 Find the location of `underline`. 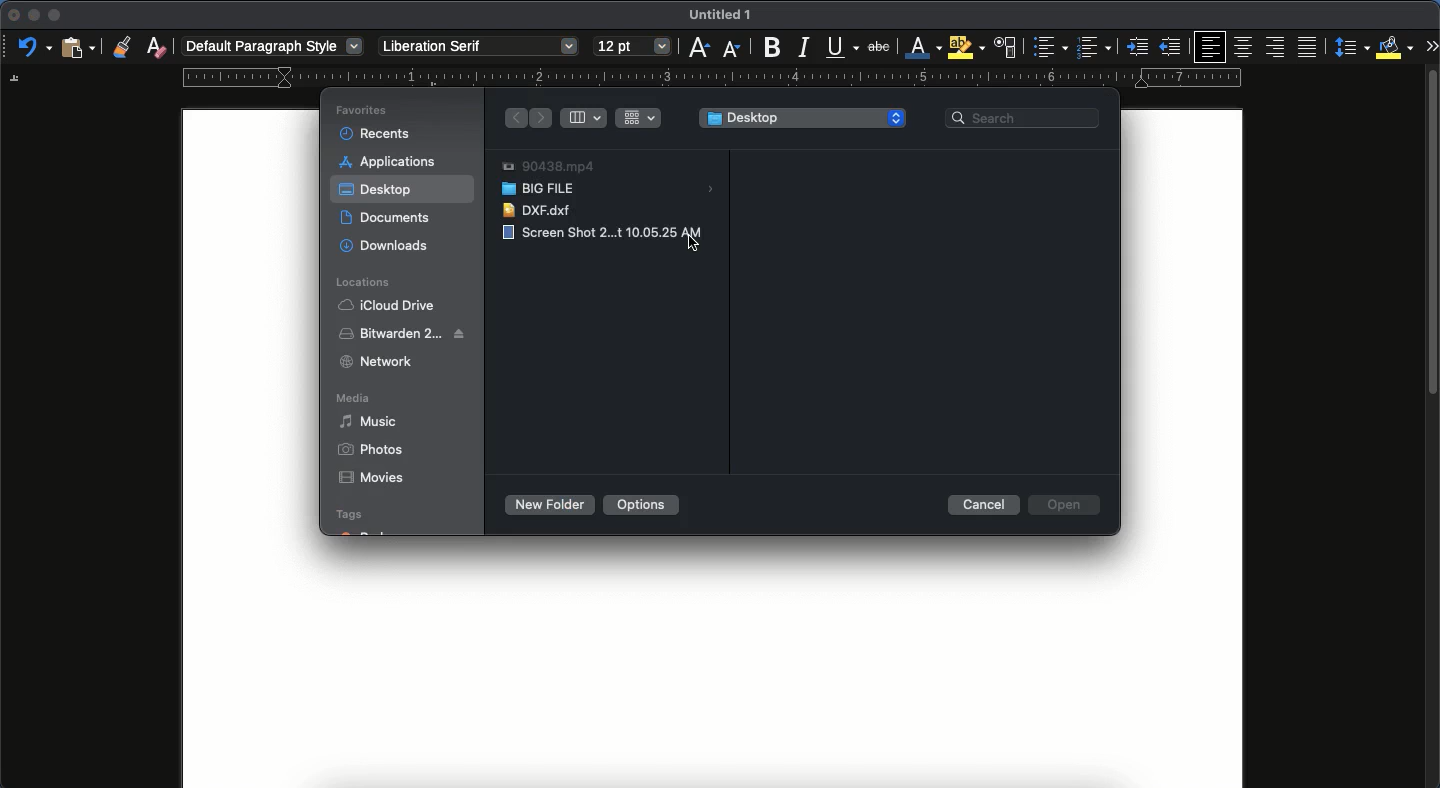

underline is located at coordinates (842, 49).